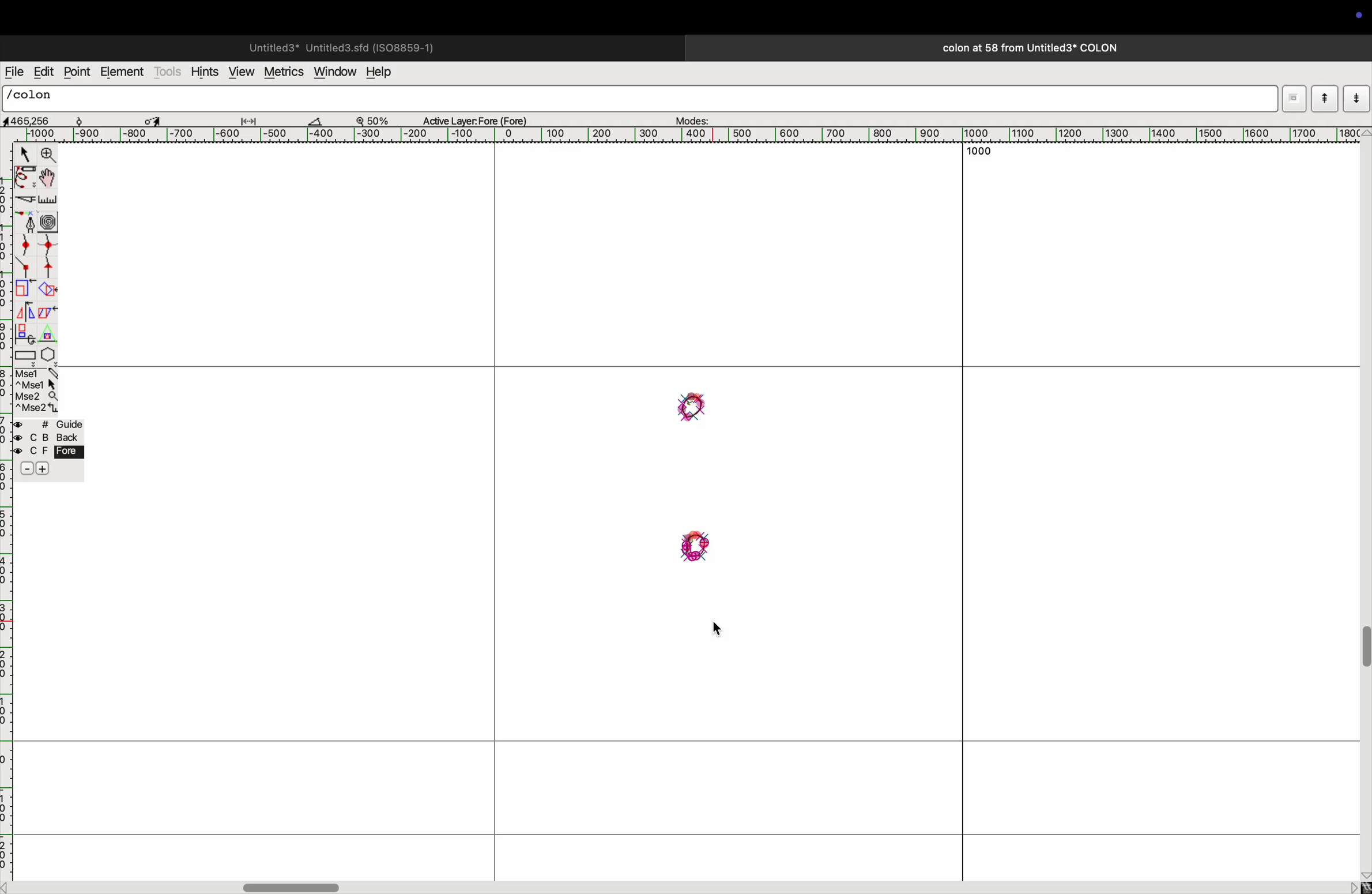  I want to click on clone, so click(26, 333).